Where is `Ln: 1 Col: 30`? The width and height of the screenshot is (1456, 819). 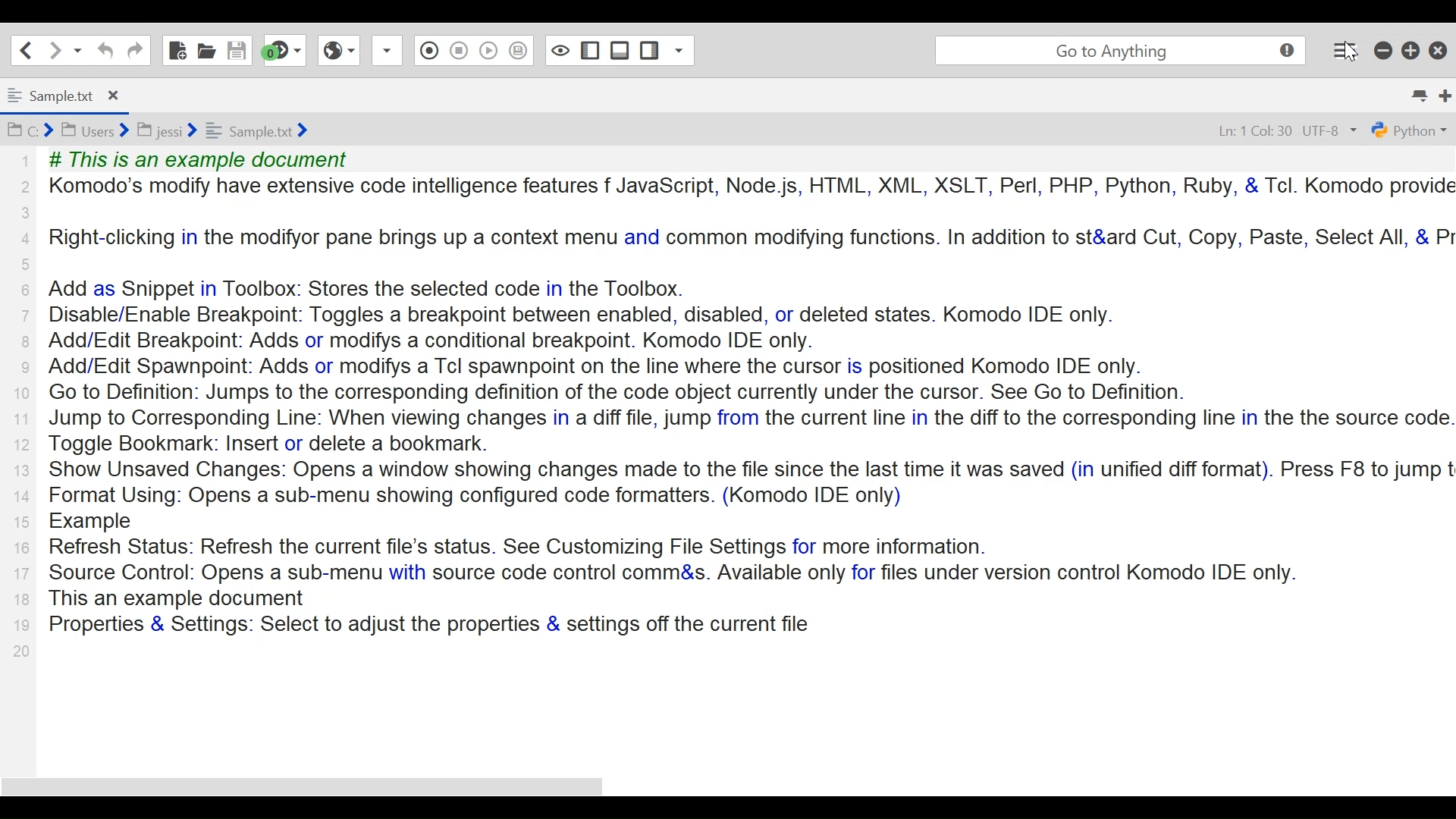 Ln: 1 Col: 30 is located at coordinates (1247, 131).